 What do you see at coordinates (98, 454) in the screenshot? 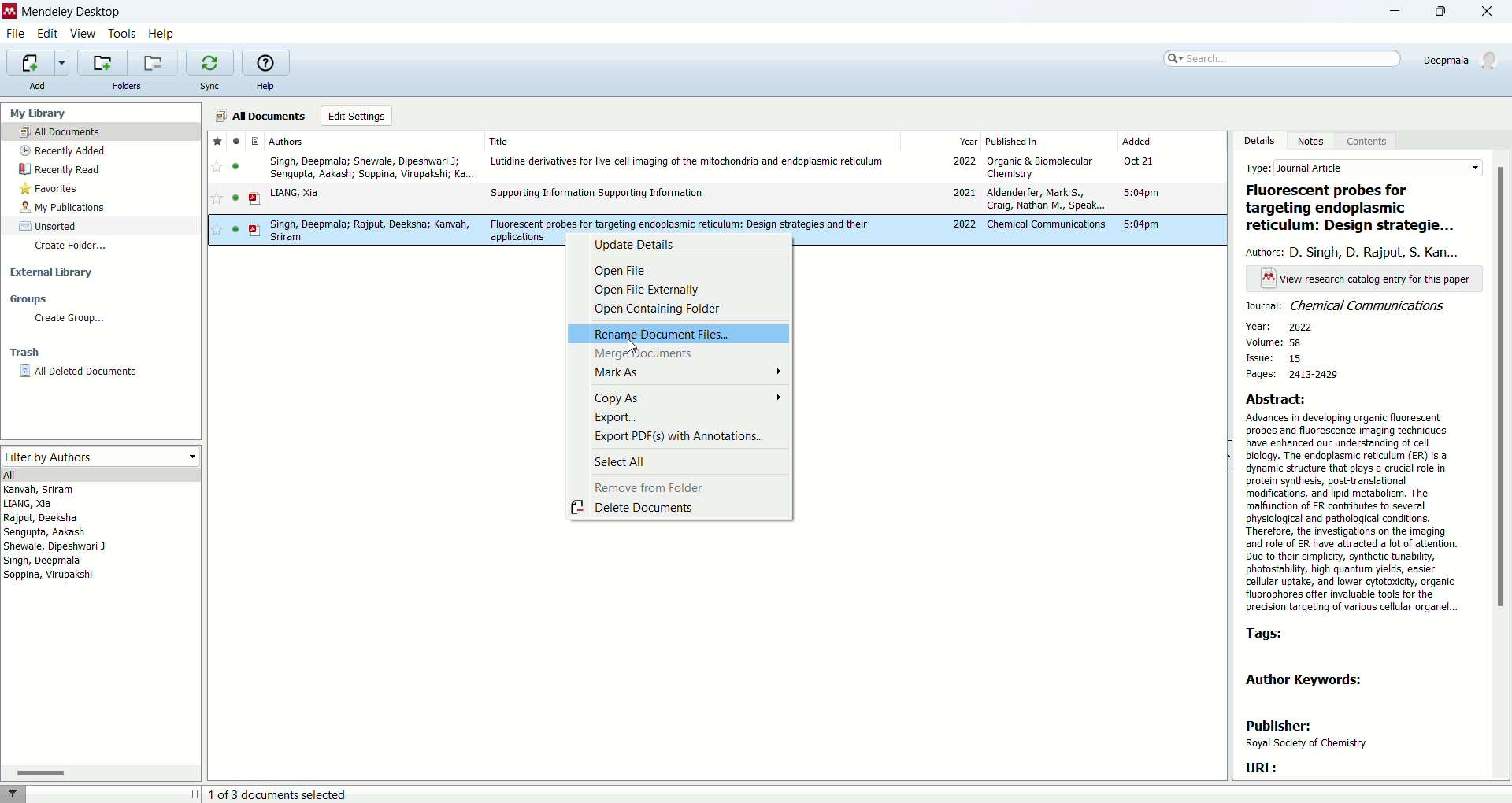
I see `filter by authors` at bounding box center [98, 454].